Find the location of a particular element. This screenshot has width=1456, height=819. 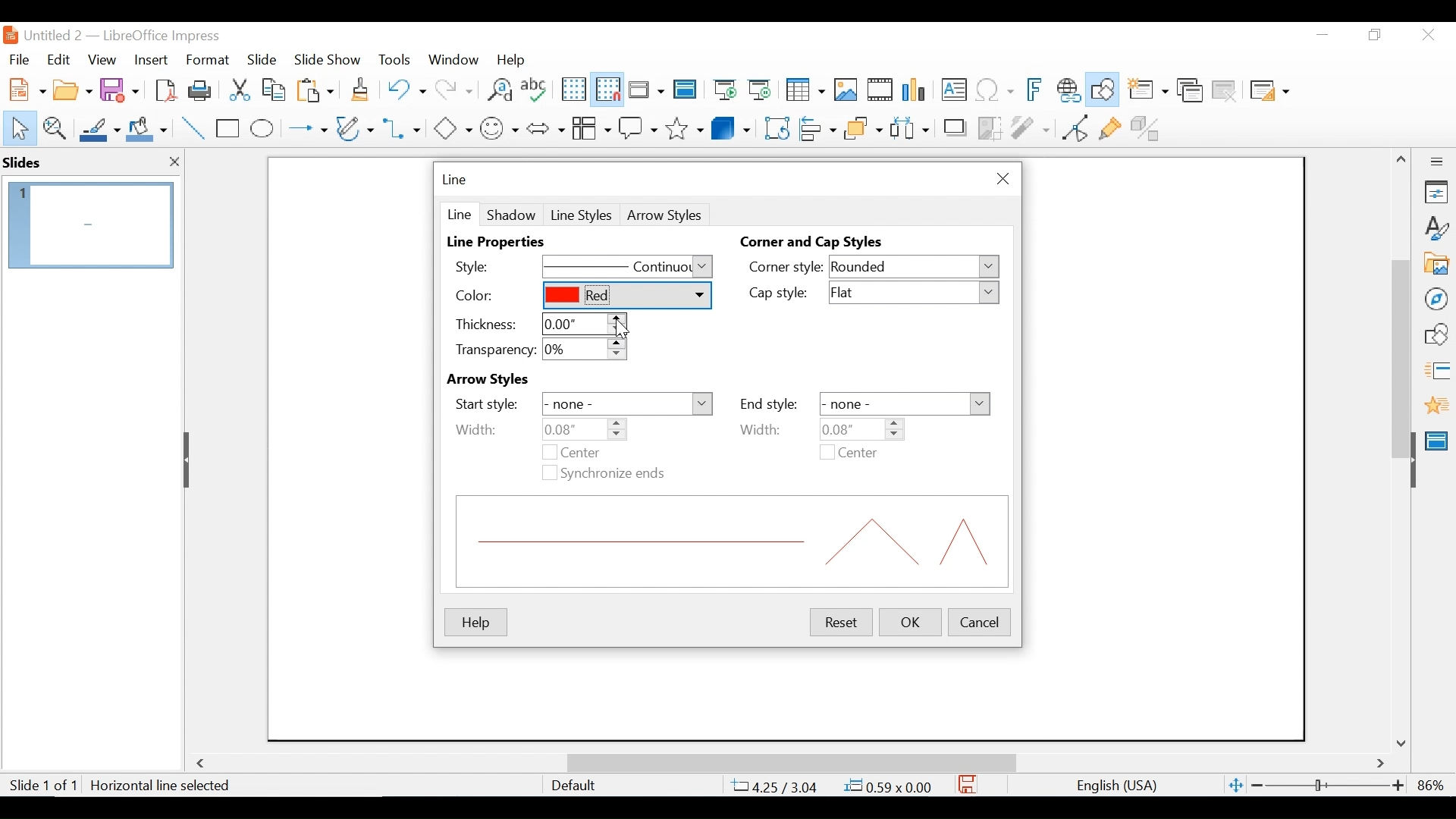

Master Slides is located at coordinates (686, 91).